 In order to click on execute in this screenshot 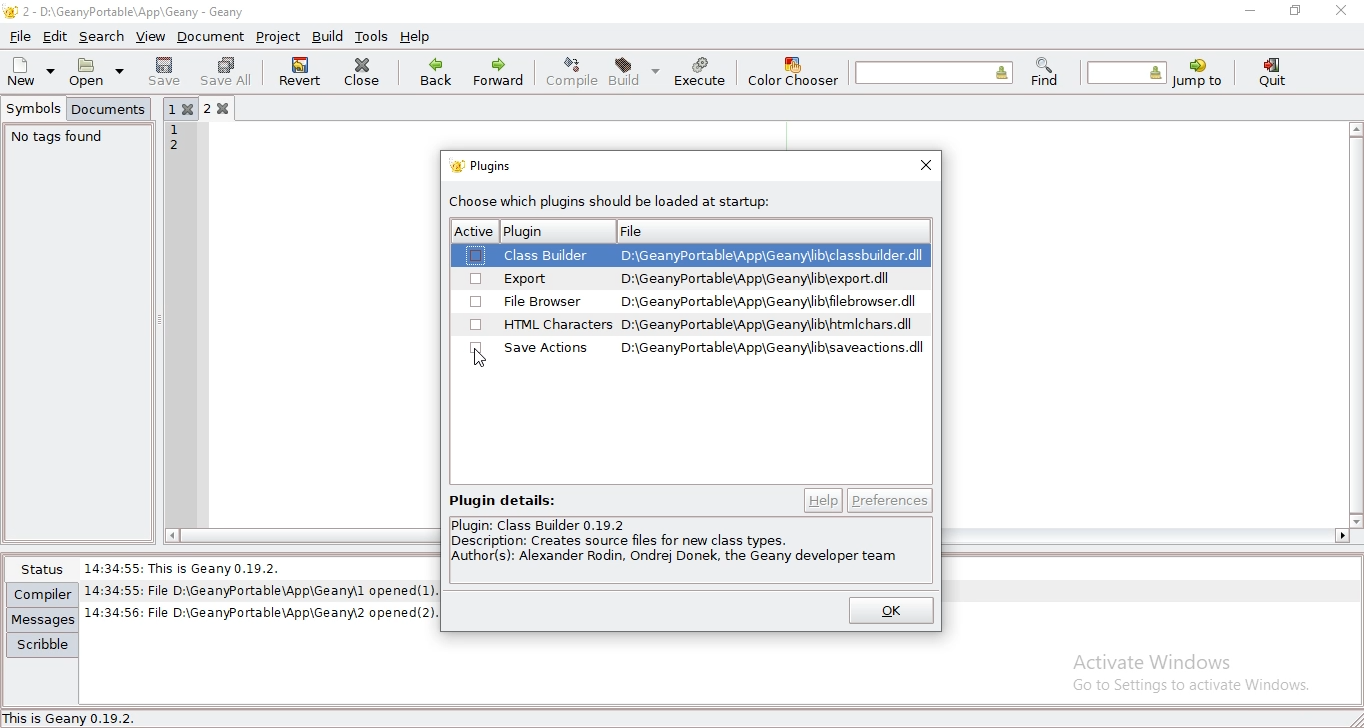, I will do `click(701, 72)`.